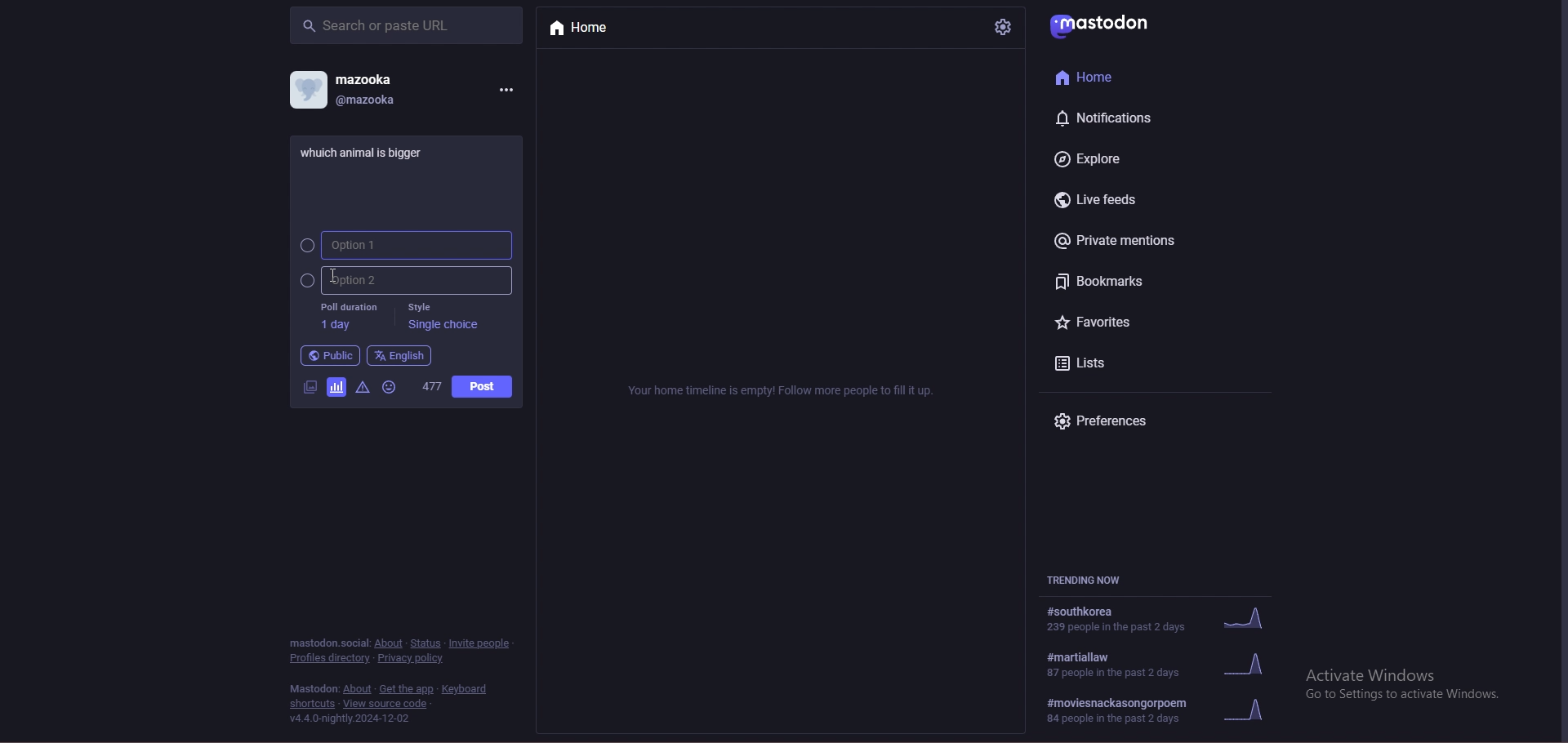 Image resolution: width=1568 pixels, height=743 pixels. I want to click on polls, so click(336, 389).